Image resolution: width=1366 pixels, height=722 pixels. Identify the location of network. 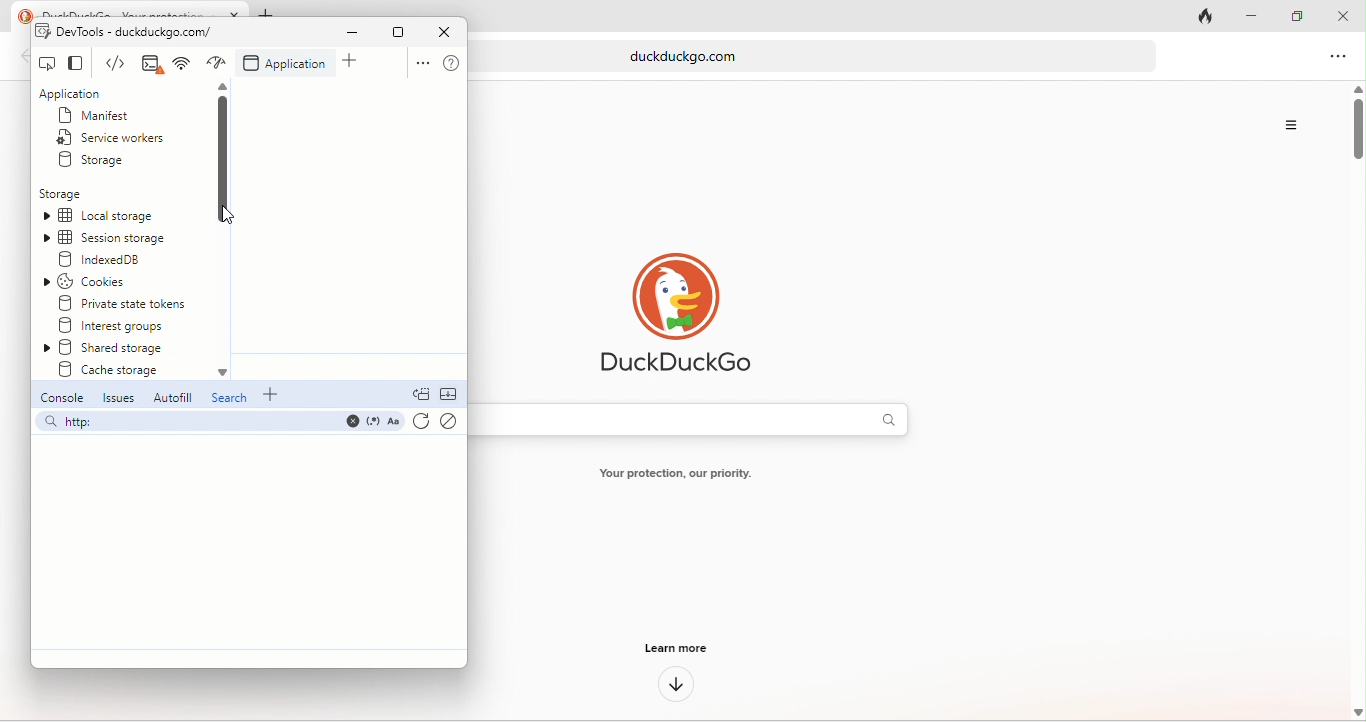
(216, 63).